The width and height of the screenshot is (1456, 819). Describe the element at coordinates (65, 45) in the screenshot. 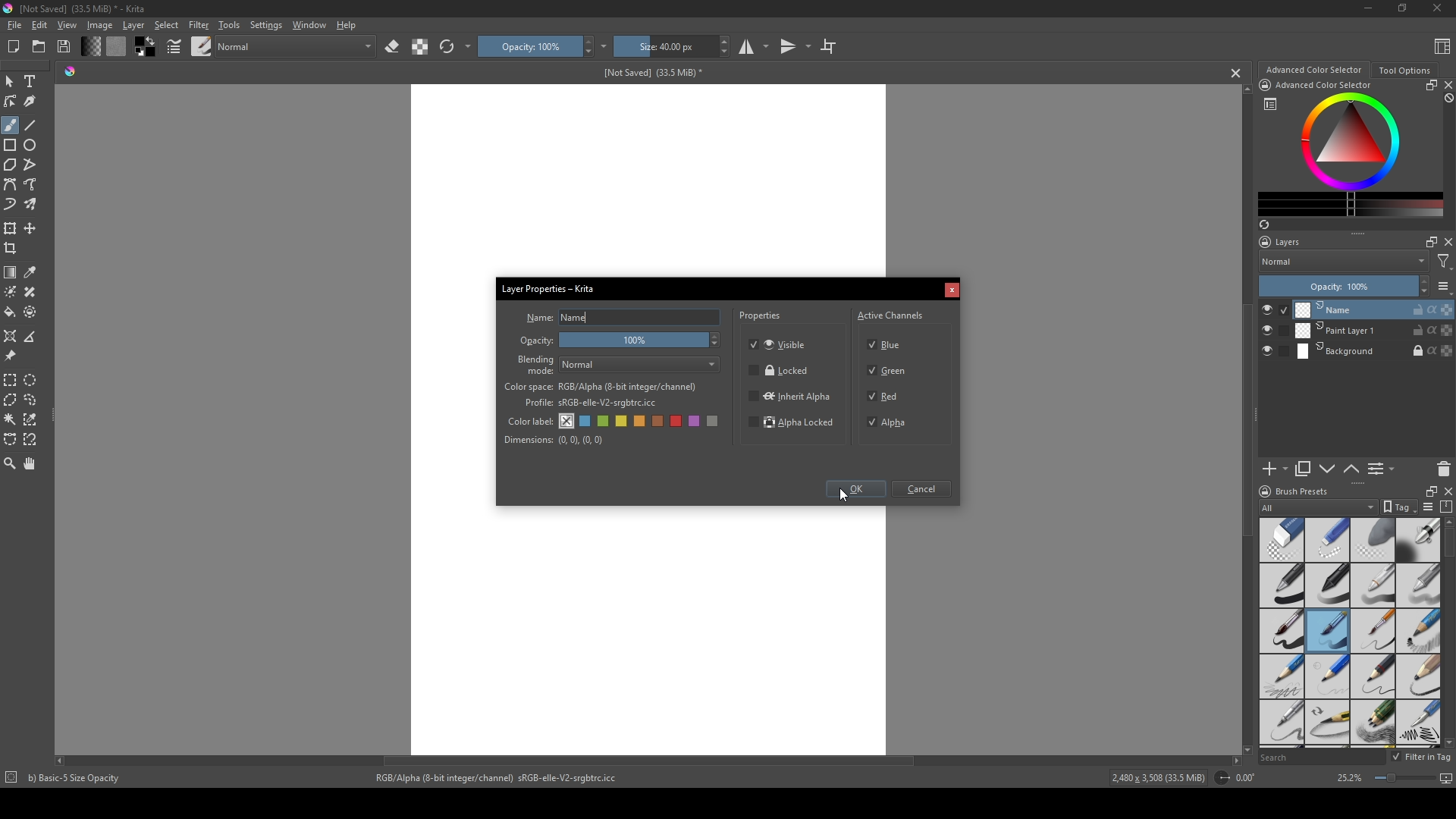

I see `Save` at that location.